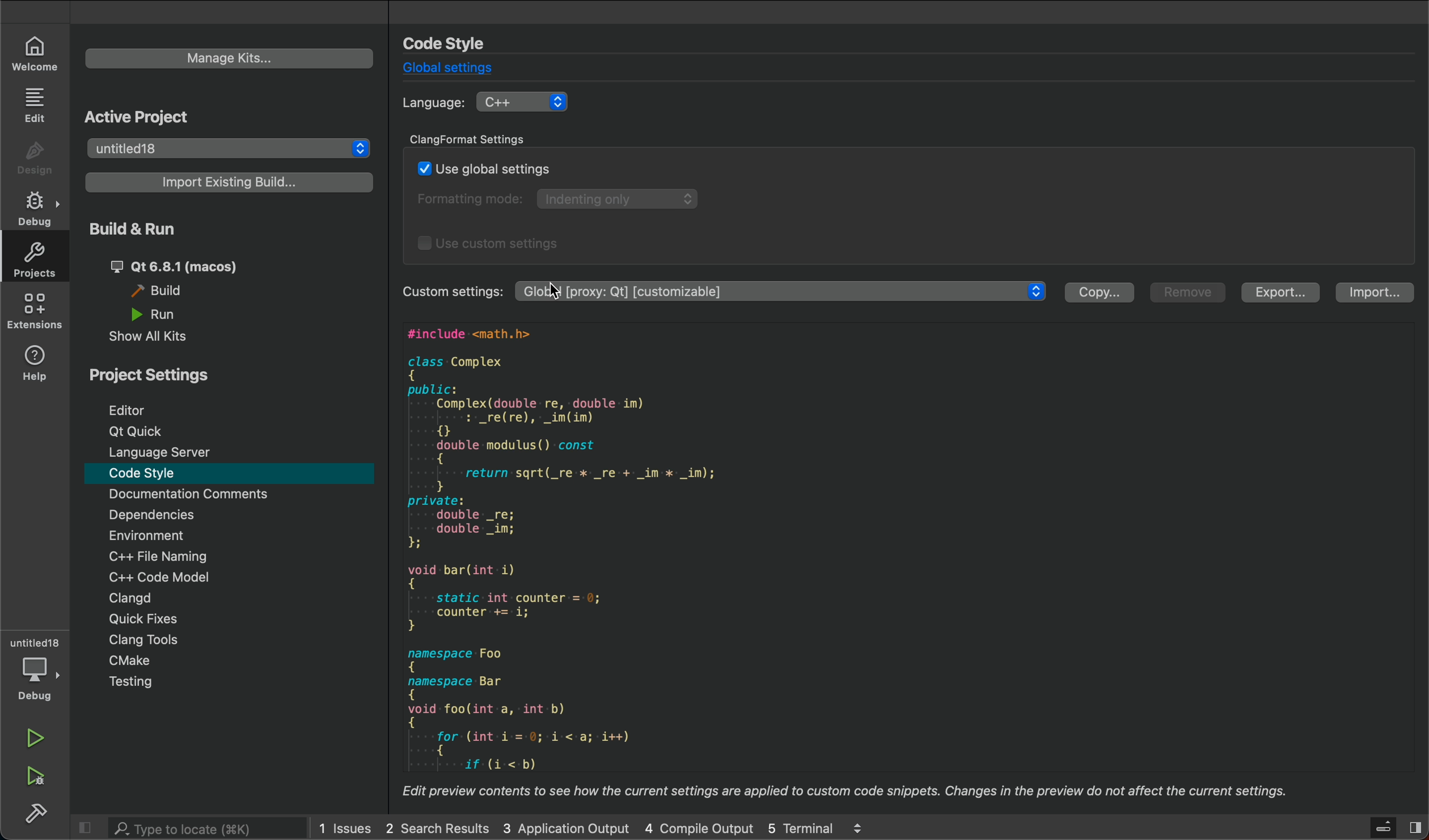 This screenshot has width=1429, height=840. What do you see at coordinates (34, 160) in the screenshot?
I see `design` at bounding box center [34, 160].